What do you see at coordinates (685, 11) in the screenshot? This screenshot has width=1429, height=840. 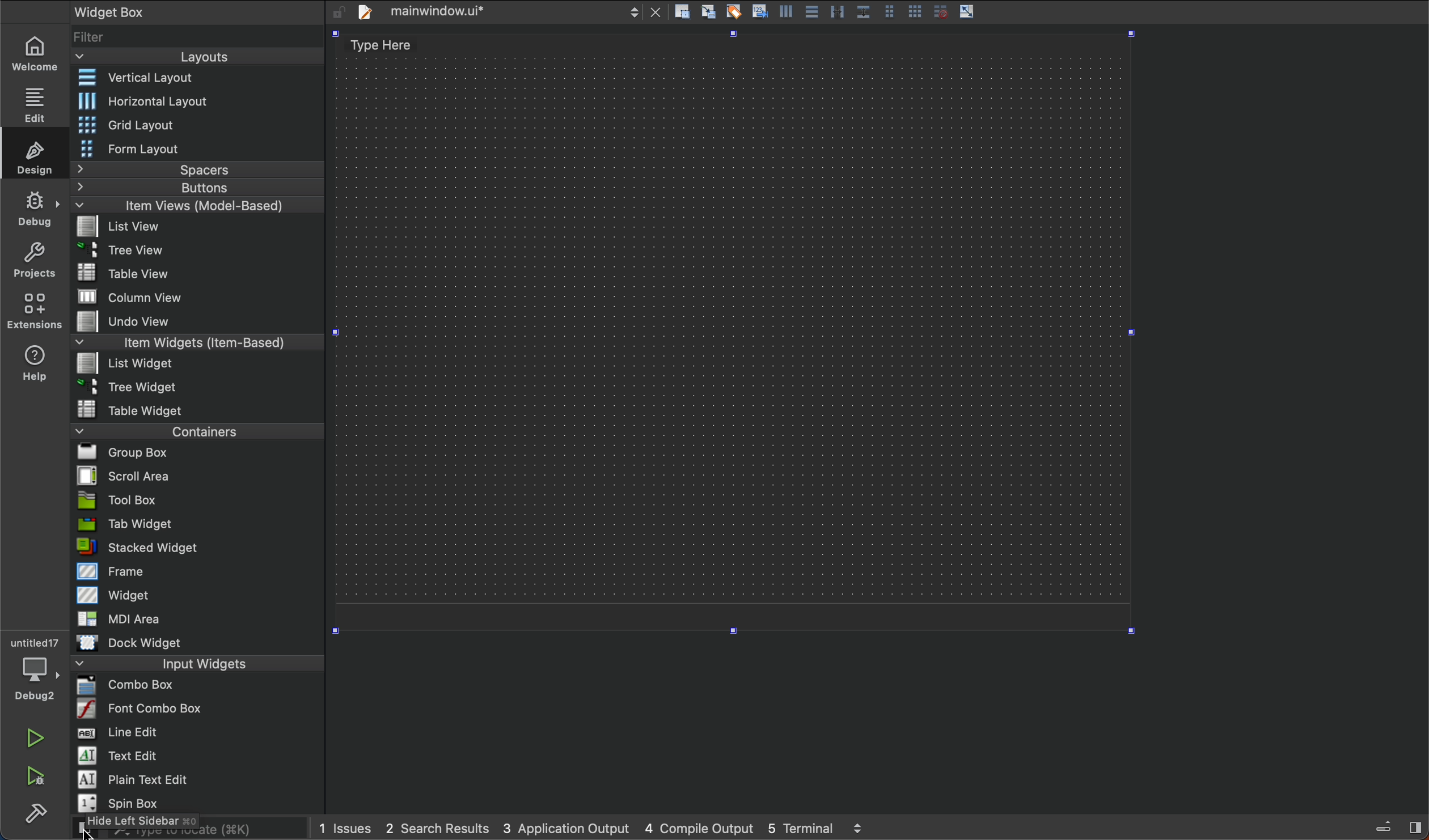 I see `` at bounding box center [685, 11].